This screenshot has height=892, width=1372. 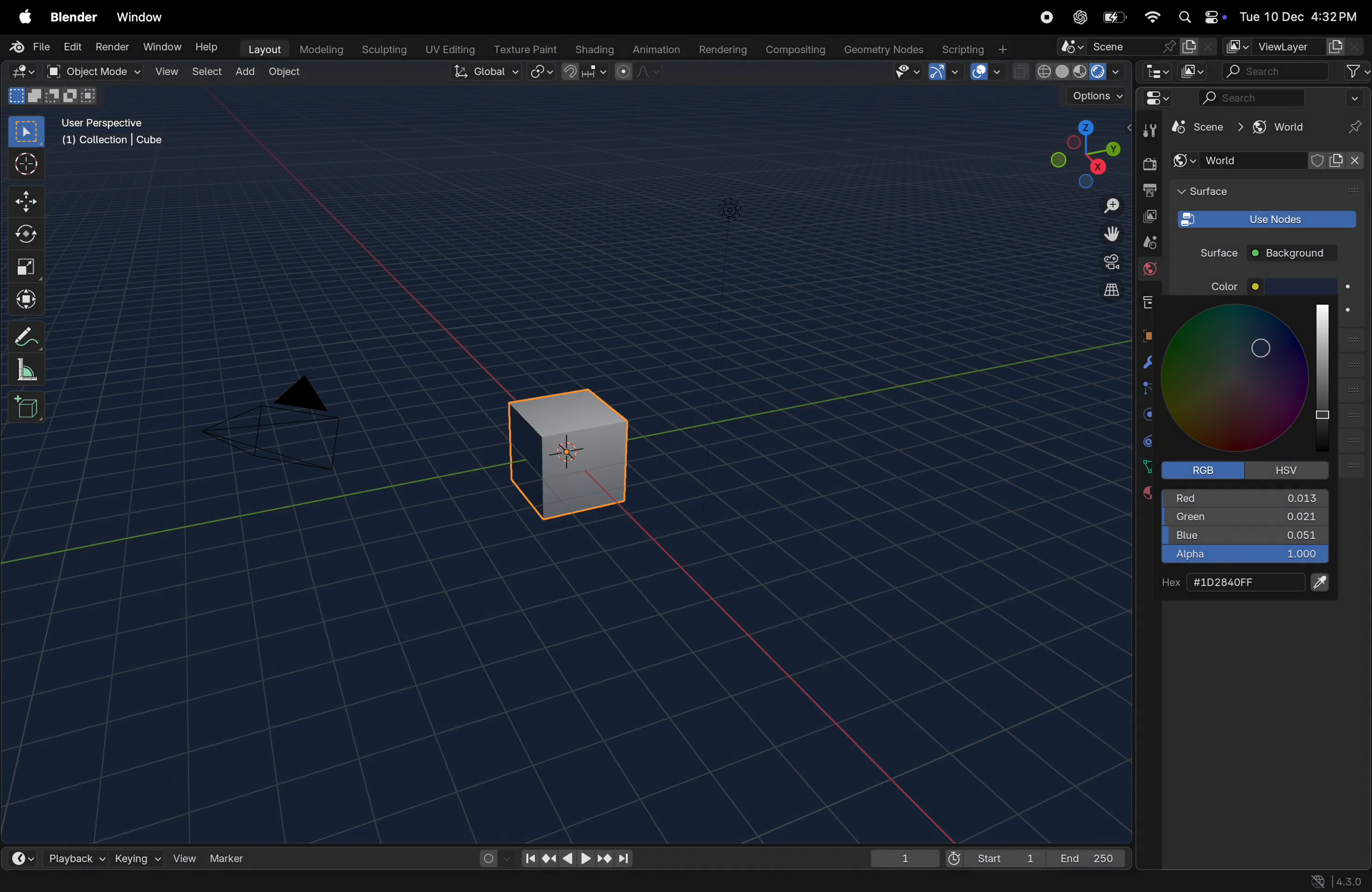 I want to click on Window, so click(x=144, y=16).